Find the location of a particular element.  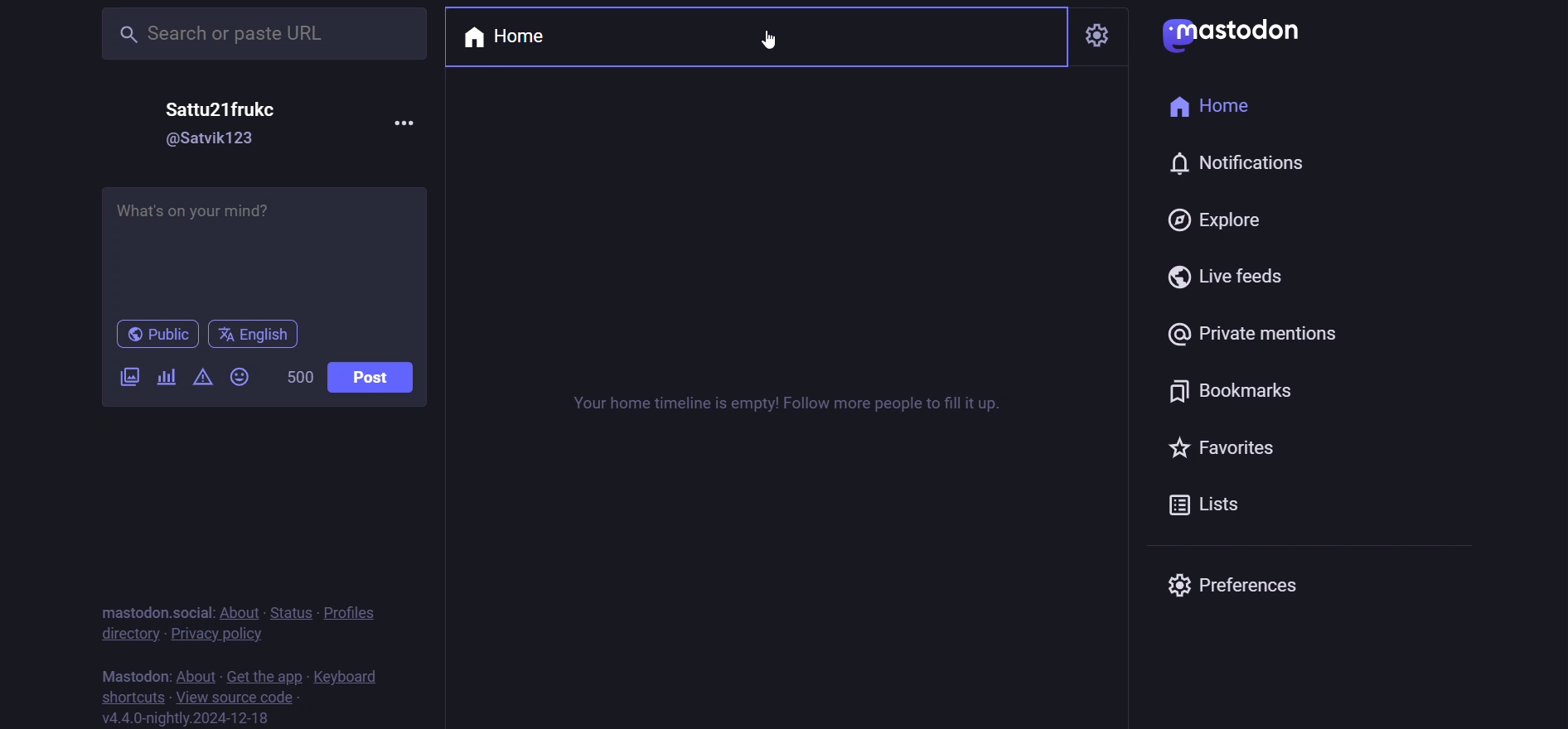

privacy policy is located at coordinates (217, 633).